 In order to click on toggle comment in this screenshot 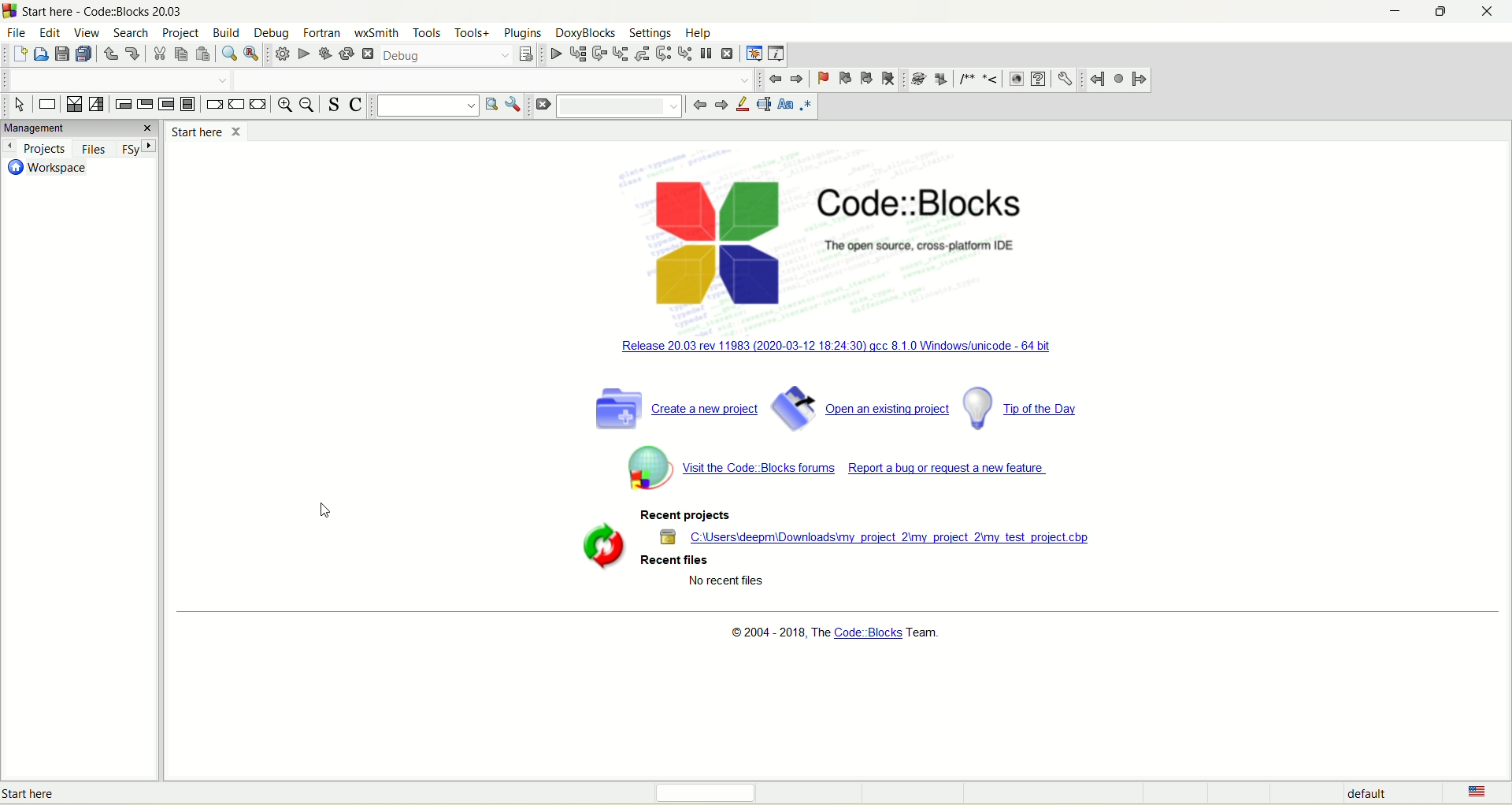, I will do `click(355, 104)`.